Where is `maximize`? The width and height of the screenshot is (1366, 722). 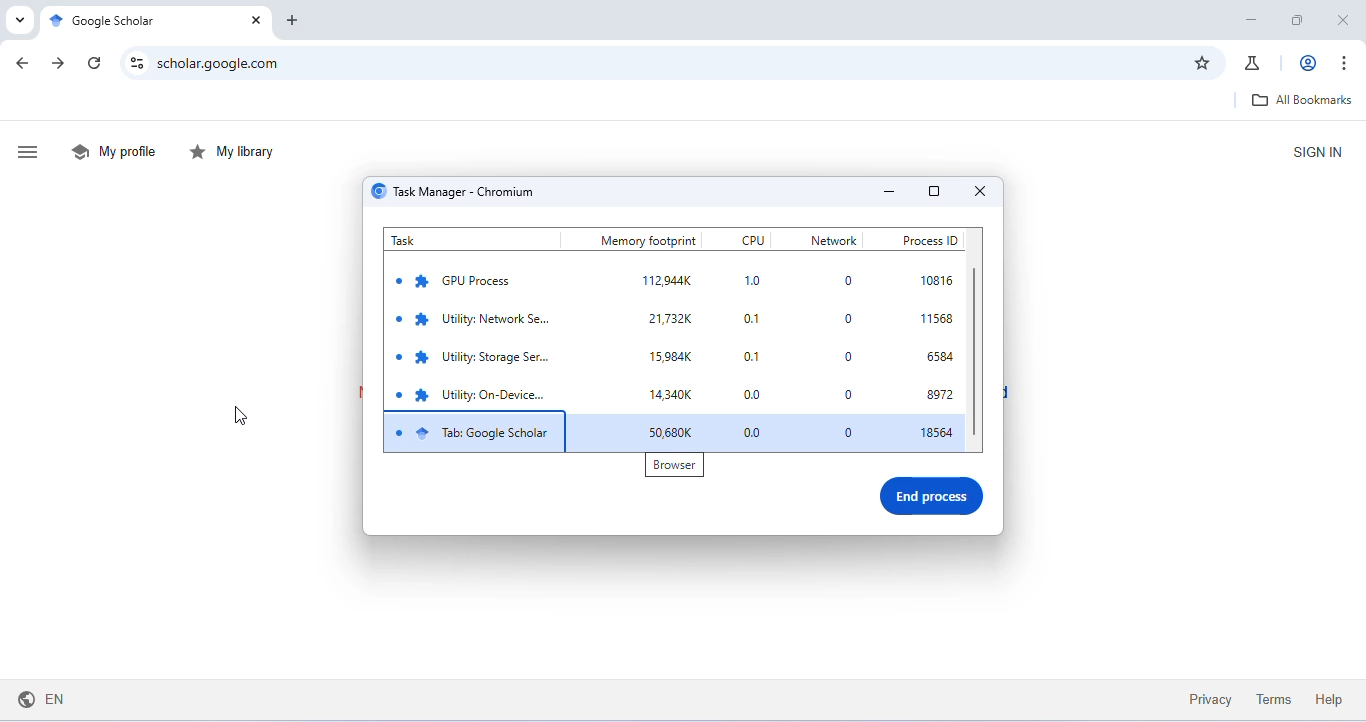
maximize is located at coordinates (934, 192).